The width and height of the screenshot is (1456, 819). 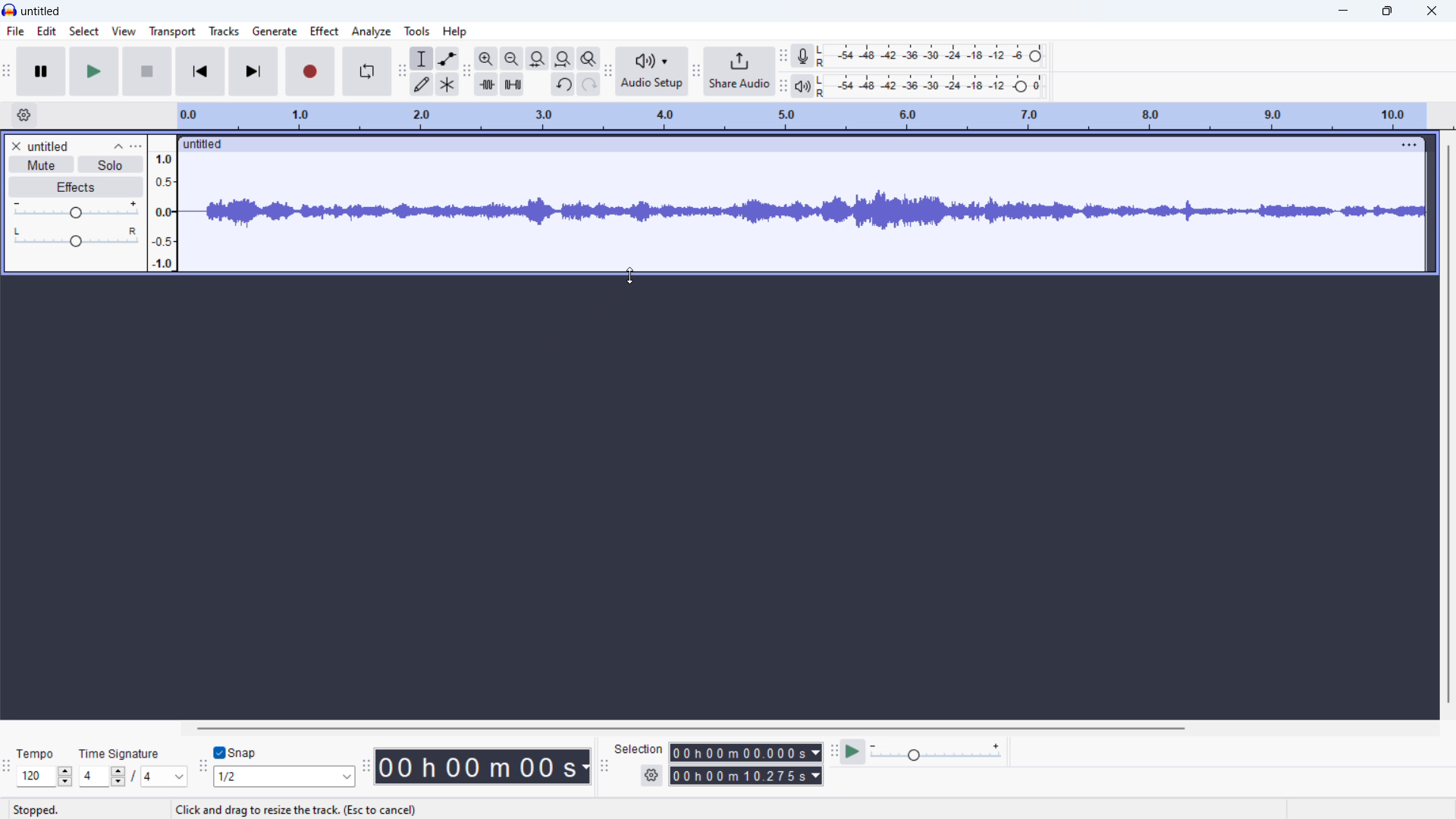 I want to click on playback level, so click(x=934, y=86).